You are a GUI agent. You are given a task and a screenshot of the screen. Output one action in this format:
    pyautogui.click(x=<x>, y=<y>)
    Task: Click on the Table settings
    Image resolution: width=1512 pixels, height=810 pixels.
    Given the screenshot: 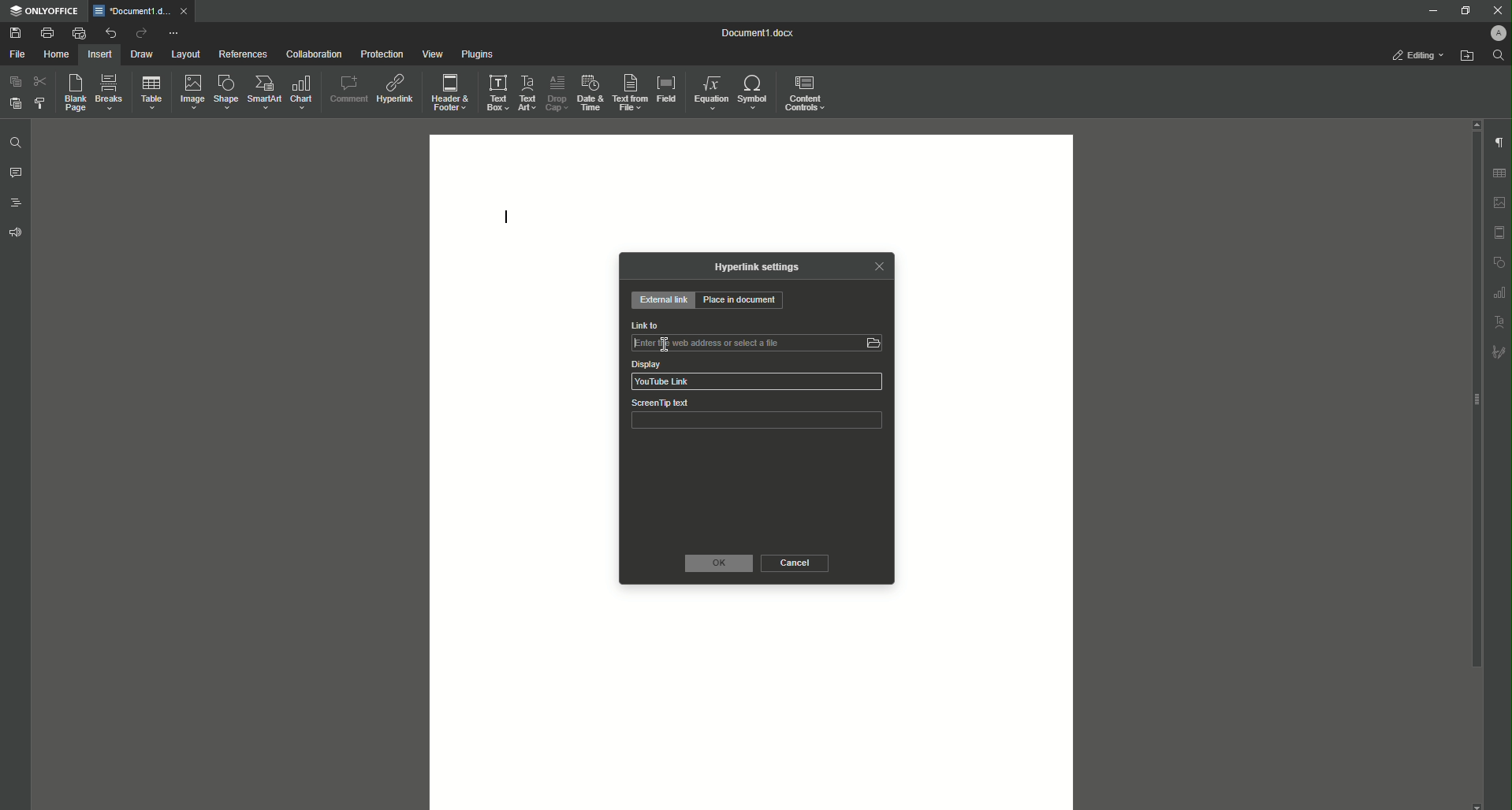 What is the action you would take?
    pyautogui.click(x=1499, y=173)
    